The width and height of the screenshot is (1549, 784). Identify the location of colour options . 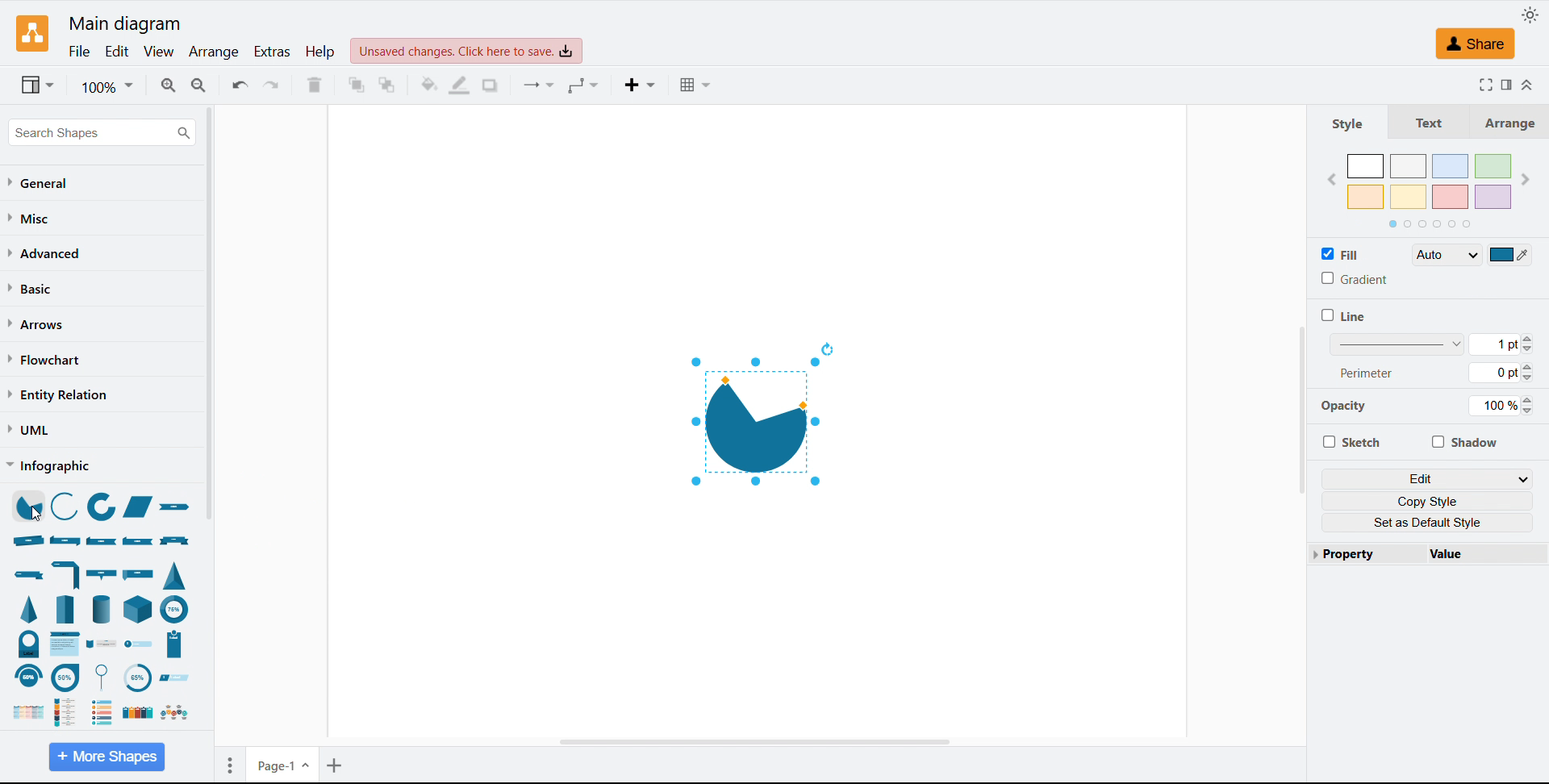
(1431, 181).